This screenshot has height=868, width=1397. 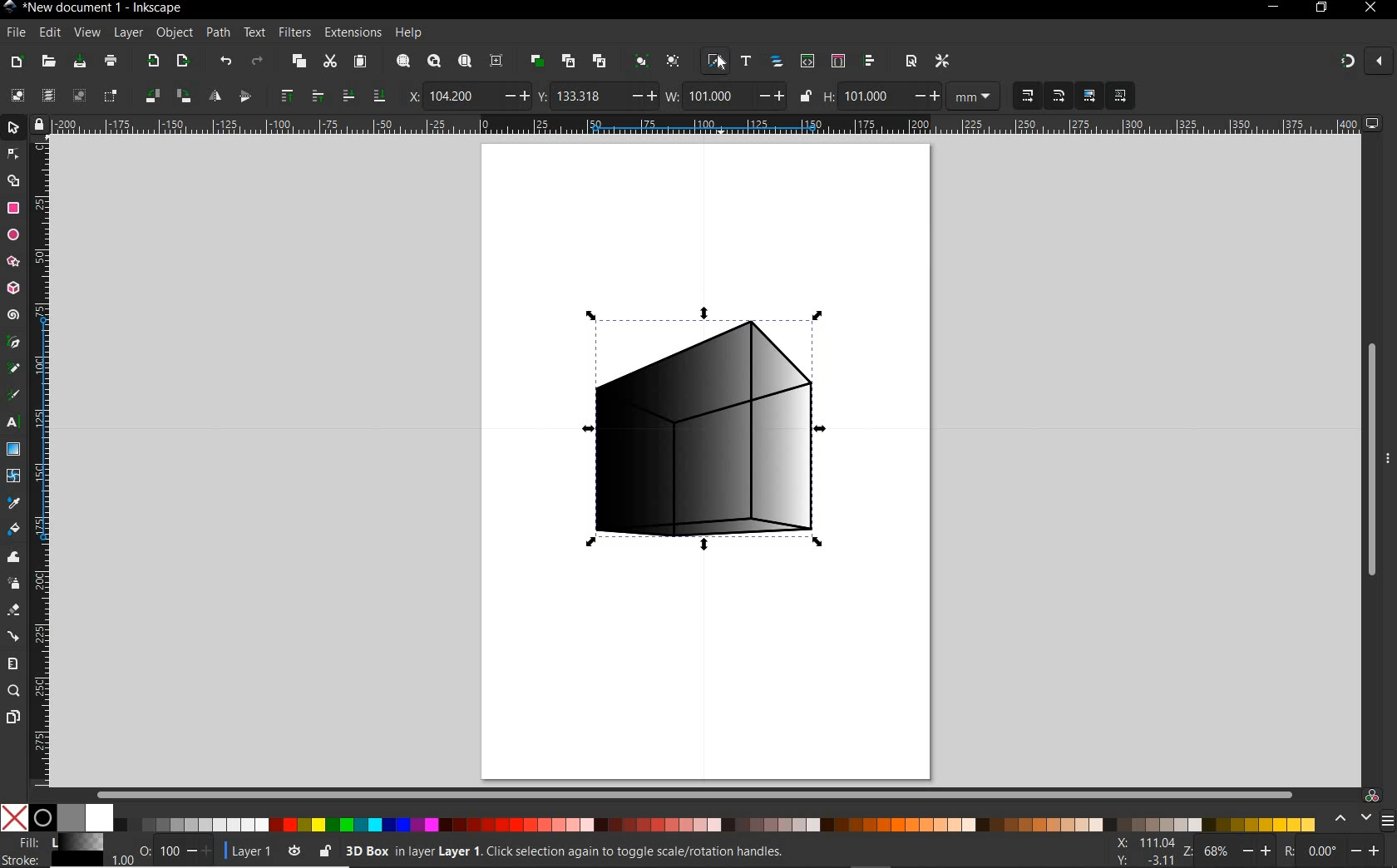 What do you see at coordinates (13, 397) in the screenshot?
I see `CALLIGRAPHY TOOL` at bounding box center [13, 397].